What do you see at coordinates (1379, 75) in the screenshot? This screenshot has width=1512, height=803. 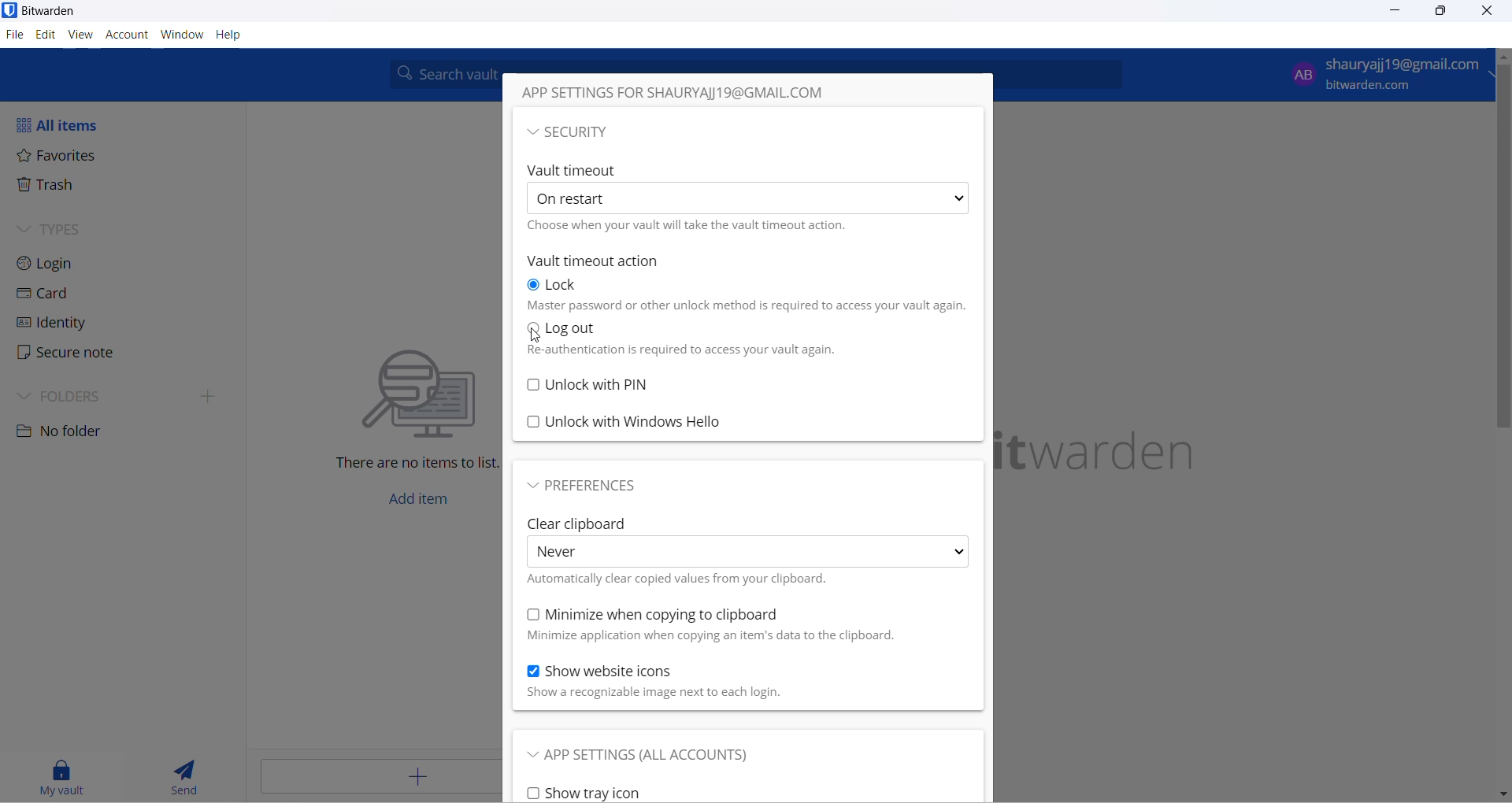 I see `login email` at bounding box center [1379, 75].